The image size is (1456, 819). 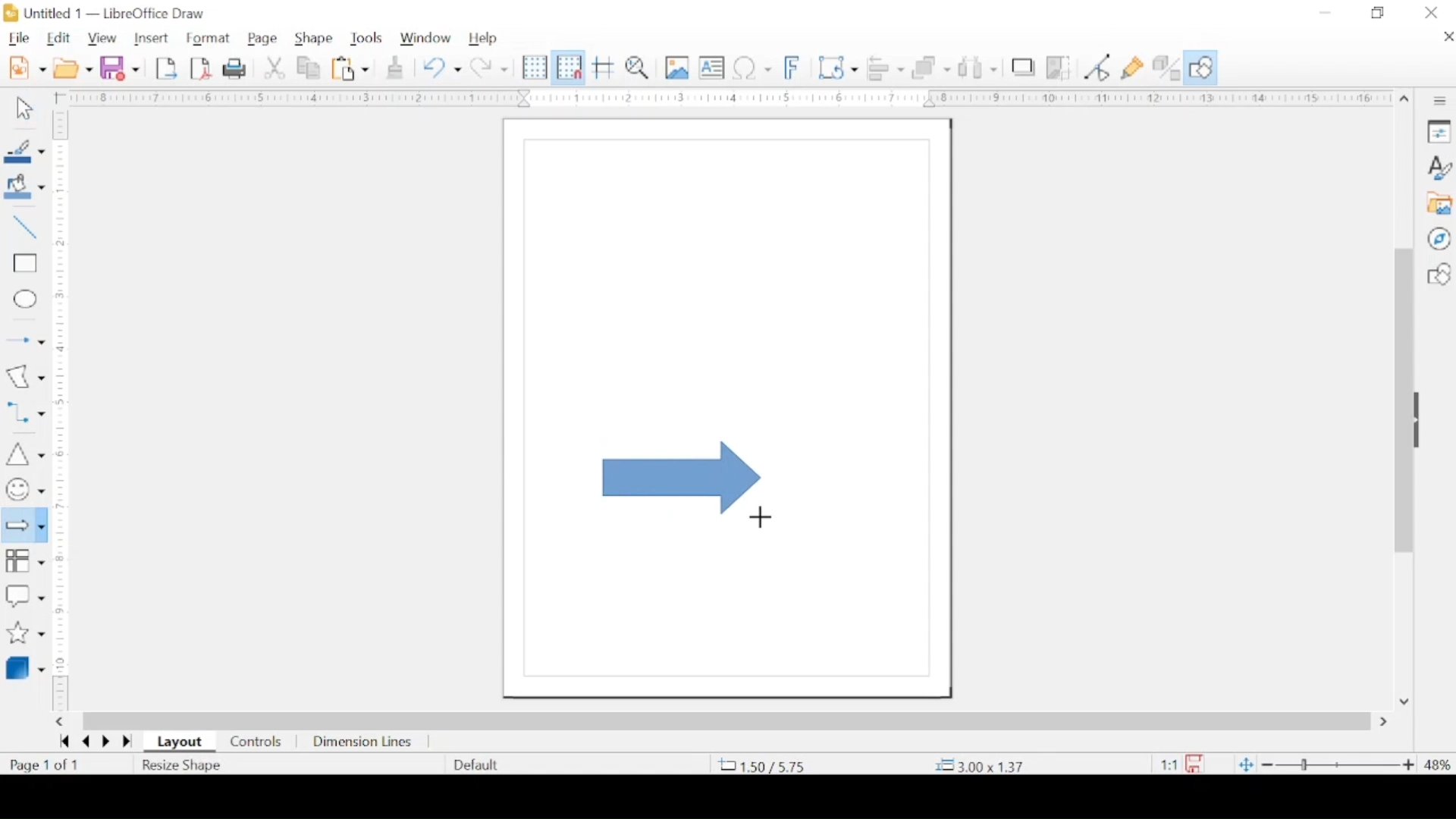 I want to click on insert font work text, so click(x=792, y=67).